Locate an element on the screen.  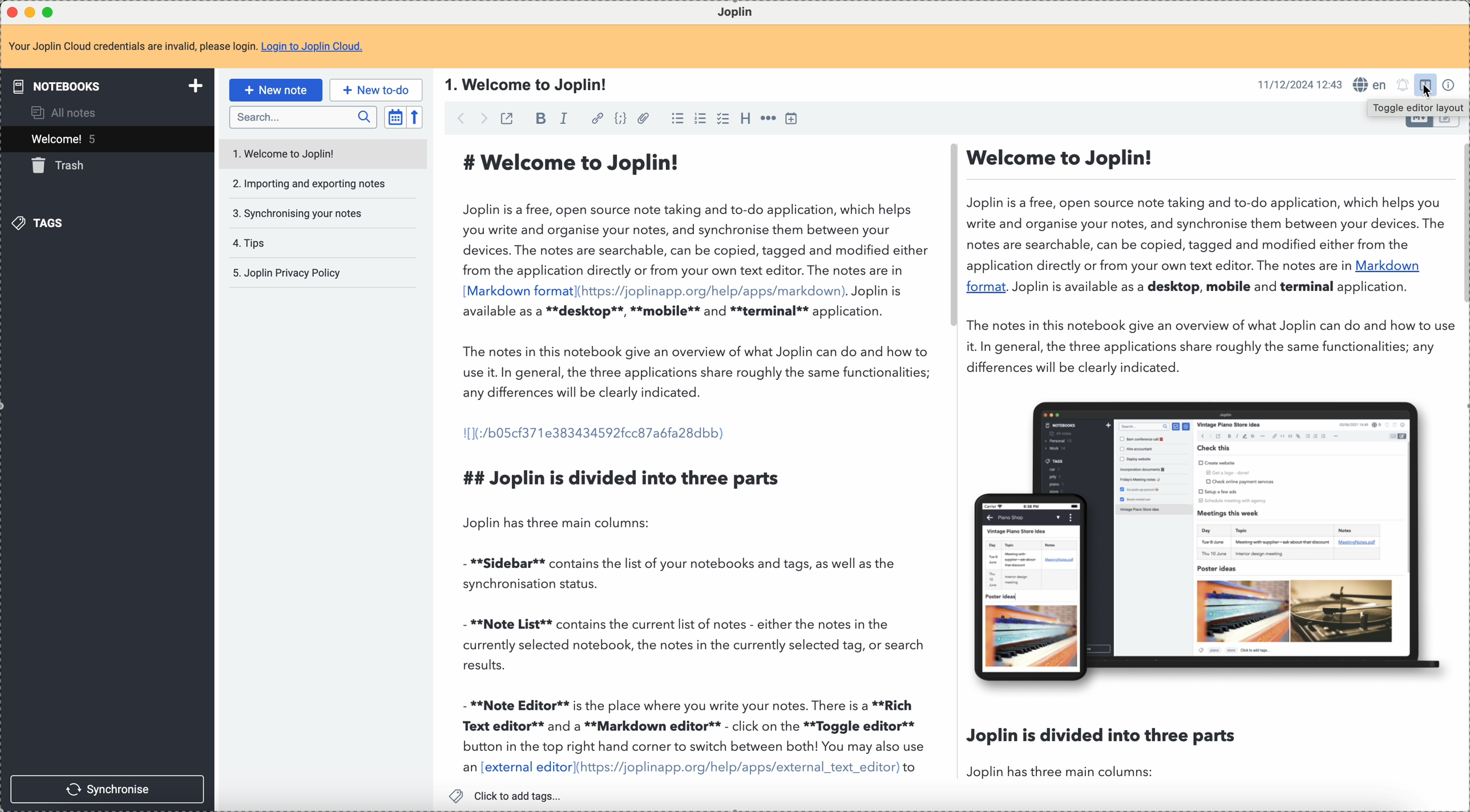
tags is located at coordinates (42, 225).